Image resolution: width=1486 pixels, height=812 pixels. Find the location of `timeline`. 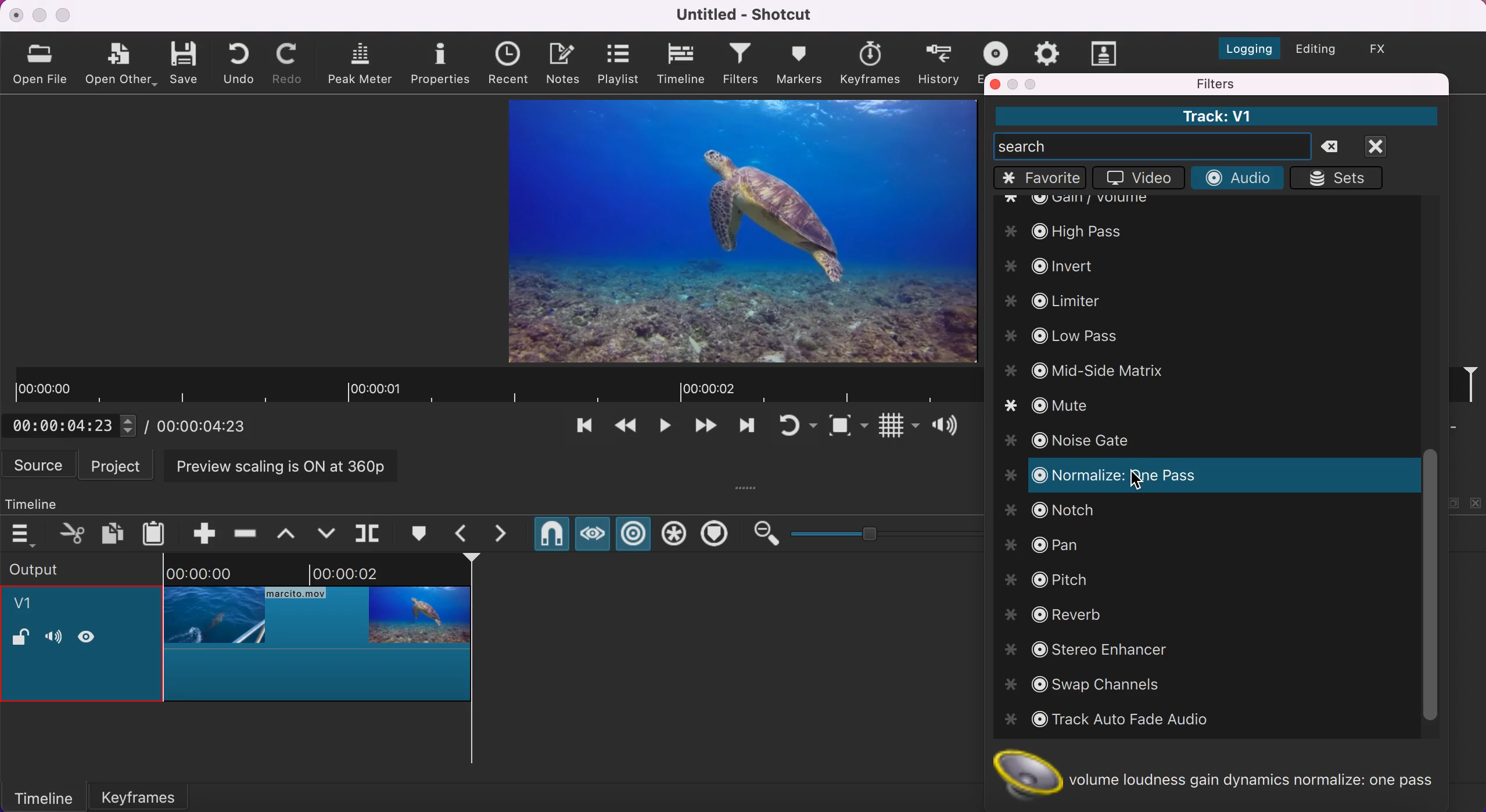

timeline is located at coordinates (683, 64).